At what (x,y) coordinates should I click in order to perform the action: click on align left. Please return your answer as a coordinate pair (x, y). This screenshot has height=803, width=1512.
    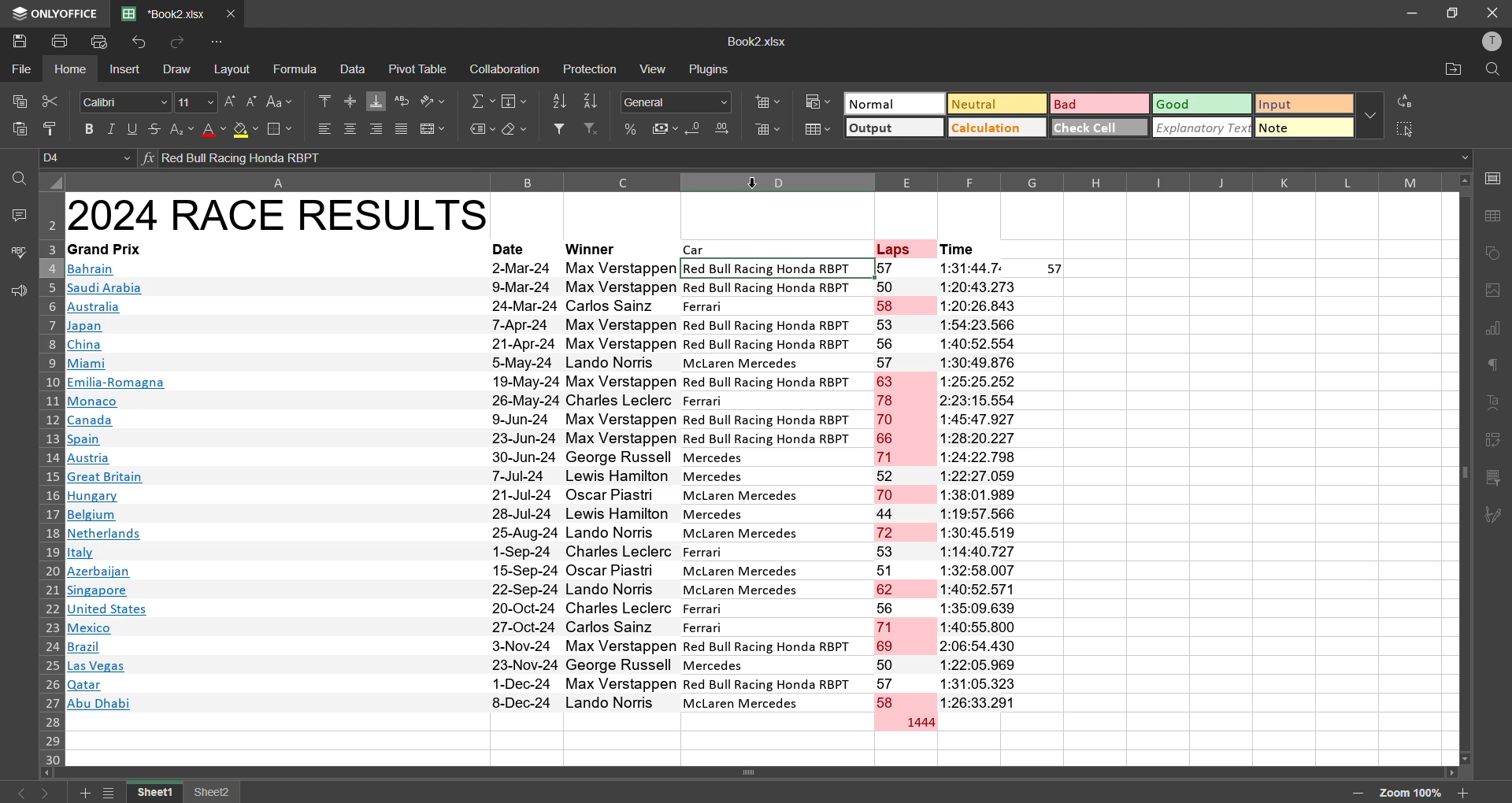
    Looking at the image, I should click on (324, 128).